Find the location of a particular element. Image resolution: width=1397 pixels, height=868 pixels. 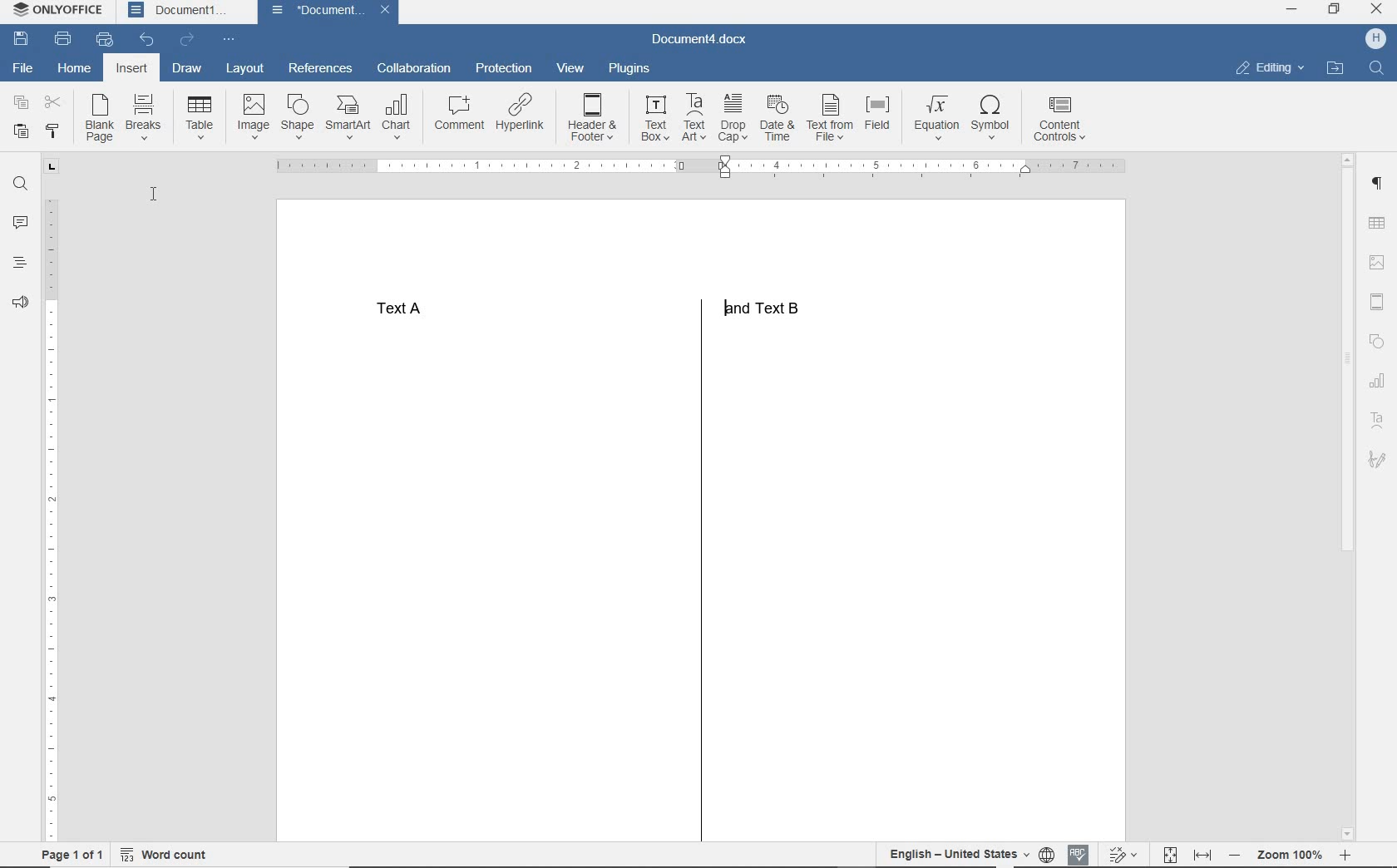

text cursor is located at coordinates (160, 199).